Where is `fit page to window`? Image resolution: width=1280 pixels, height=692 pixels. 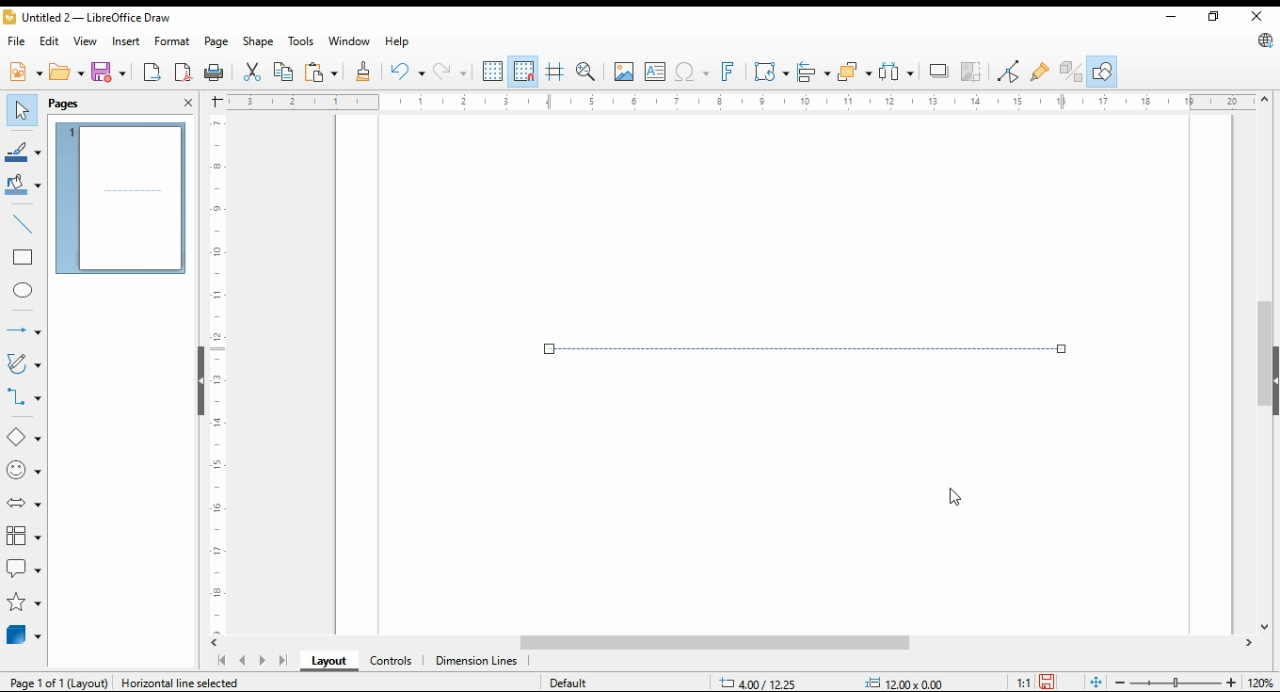
fit page to window is located at coordinates (1096, 683).